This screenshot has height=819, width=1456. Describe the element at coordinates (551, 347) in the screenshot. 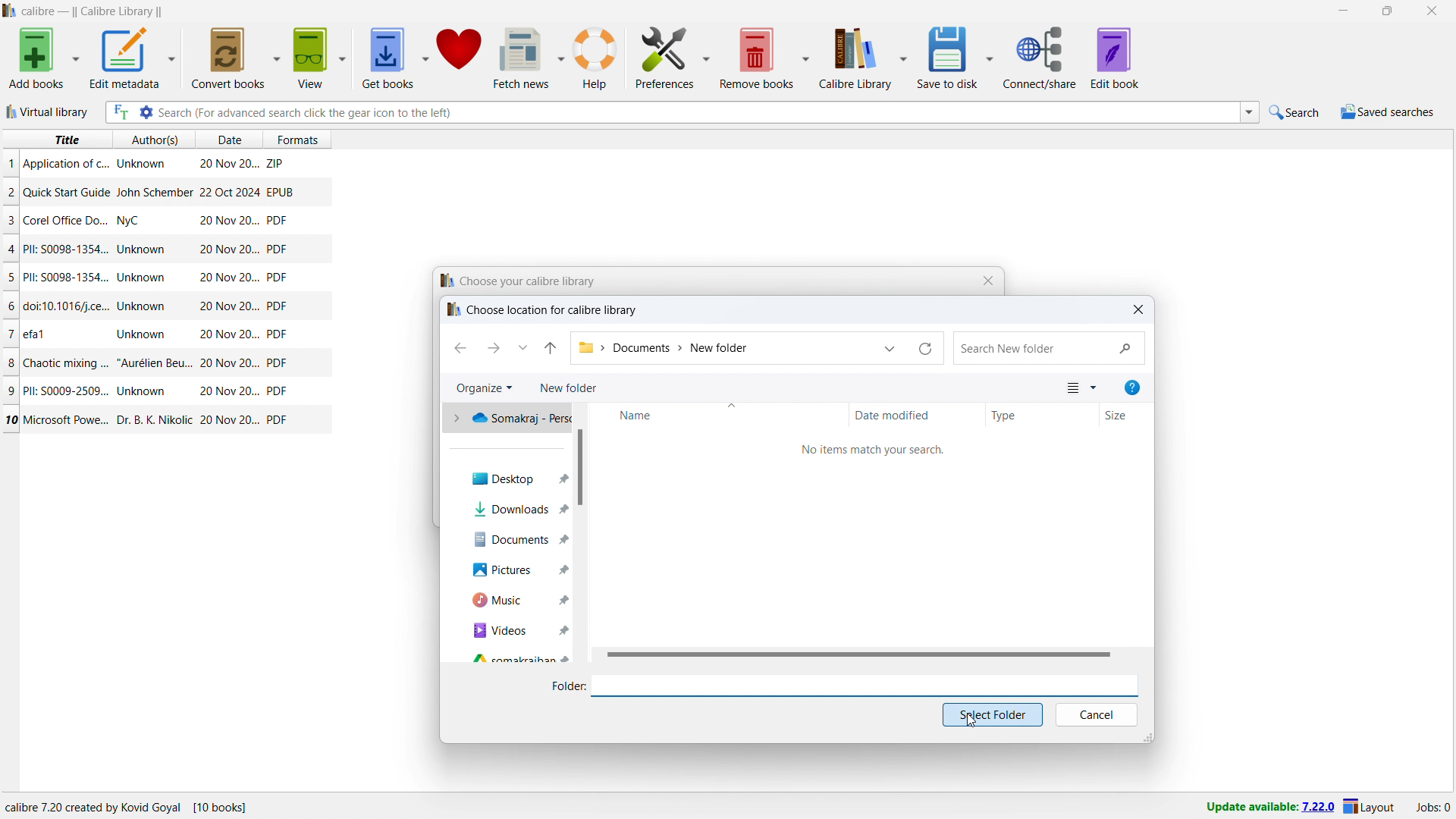

I see `go to originating folder` at that location.